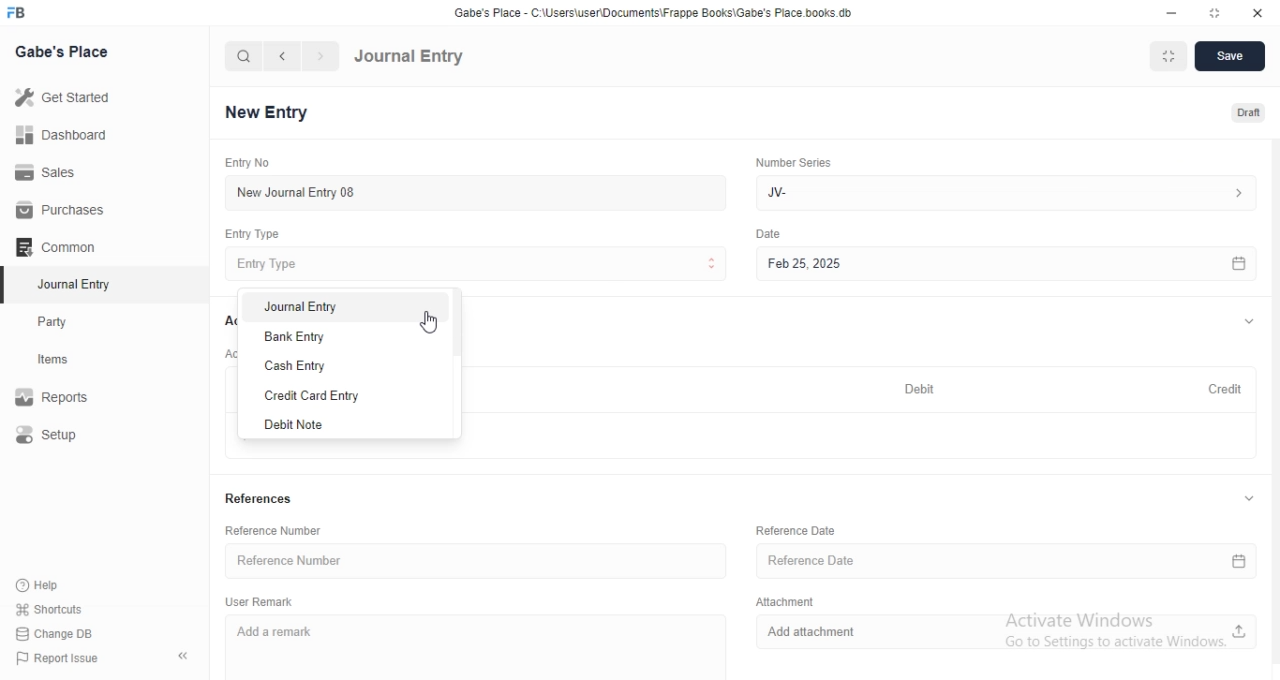 The width and height of the screenshot is (1280, 680). What do you see at coordinates (266, 111) in the screenshot?
I see `New Entry` at bounding box center [266, 111].